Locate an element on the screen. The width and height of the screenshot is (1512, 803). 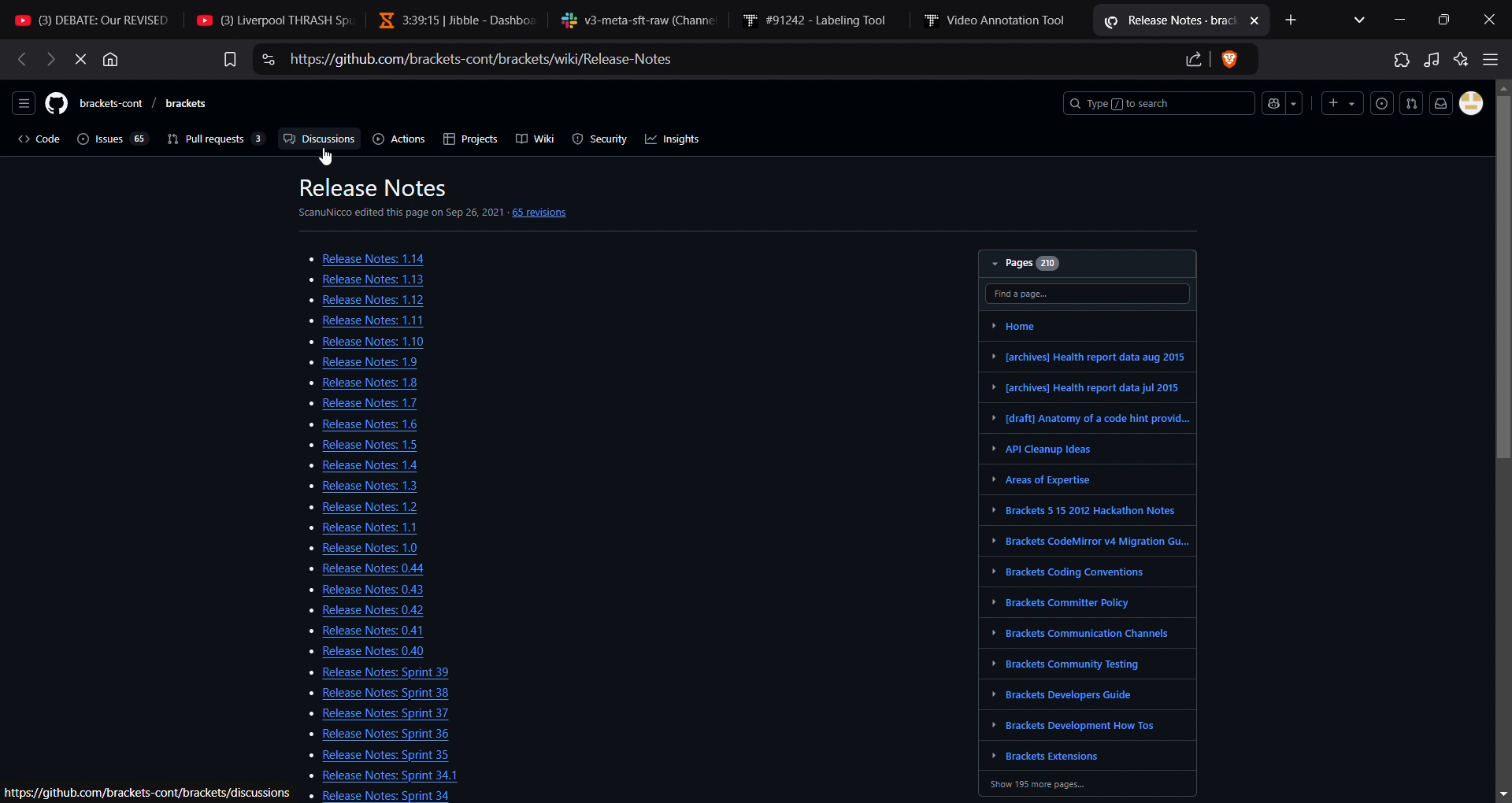
o Release Notes: 0.41 is located at coordinates (371, 631).